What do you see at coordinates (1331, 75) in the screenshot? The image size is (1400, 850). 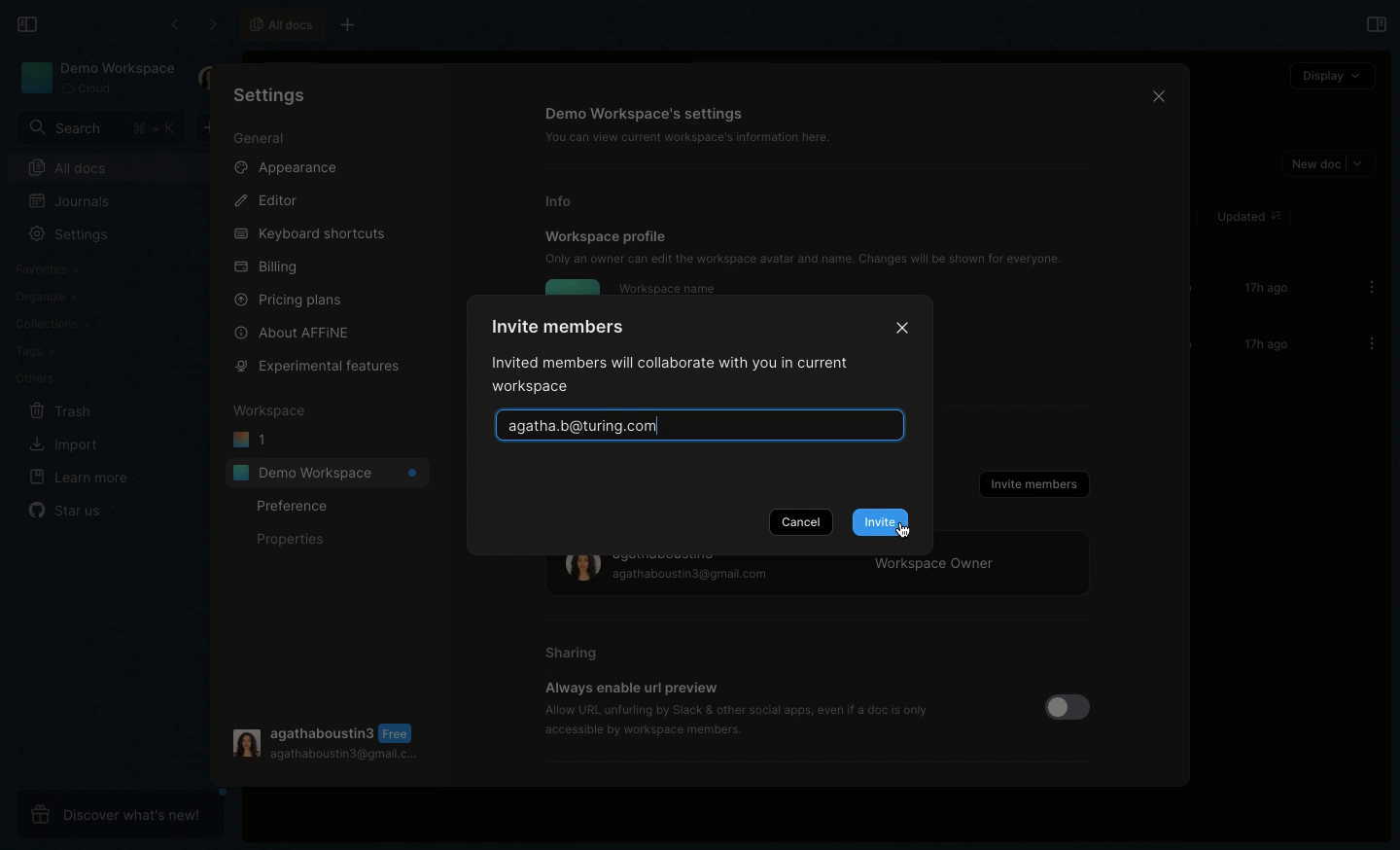 I see `Display` at bounding box center [1331, 75].